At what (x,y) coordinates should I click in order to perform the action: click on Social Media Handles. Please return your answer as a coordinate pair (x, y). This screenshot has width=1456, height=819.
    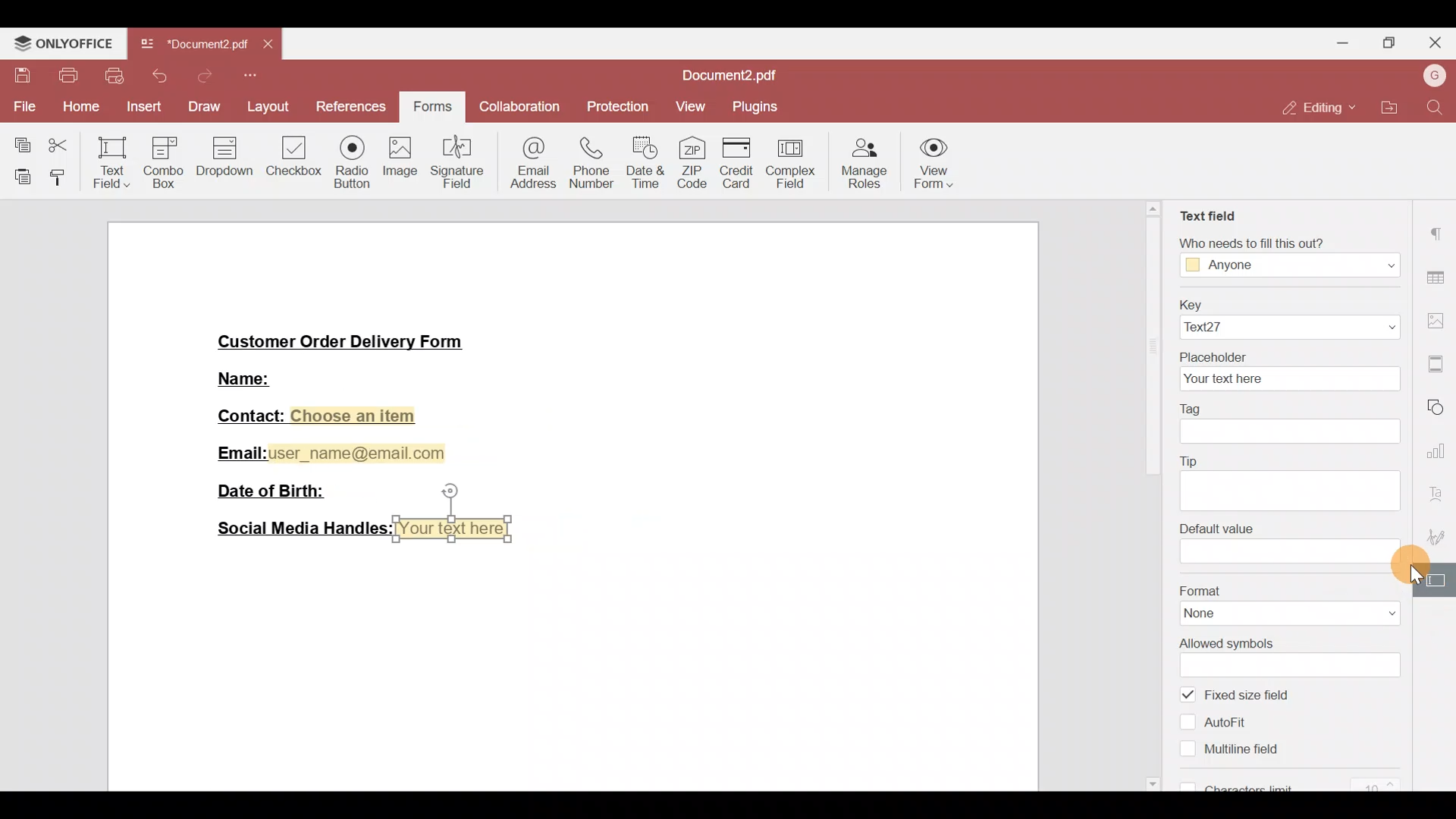
    Looking at the image, I should click on (299, 529).